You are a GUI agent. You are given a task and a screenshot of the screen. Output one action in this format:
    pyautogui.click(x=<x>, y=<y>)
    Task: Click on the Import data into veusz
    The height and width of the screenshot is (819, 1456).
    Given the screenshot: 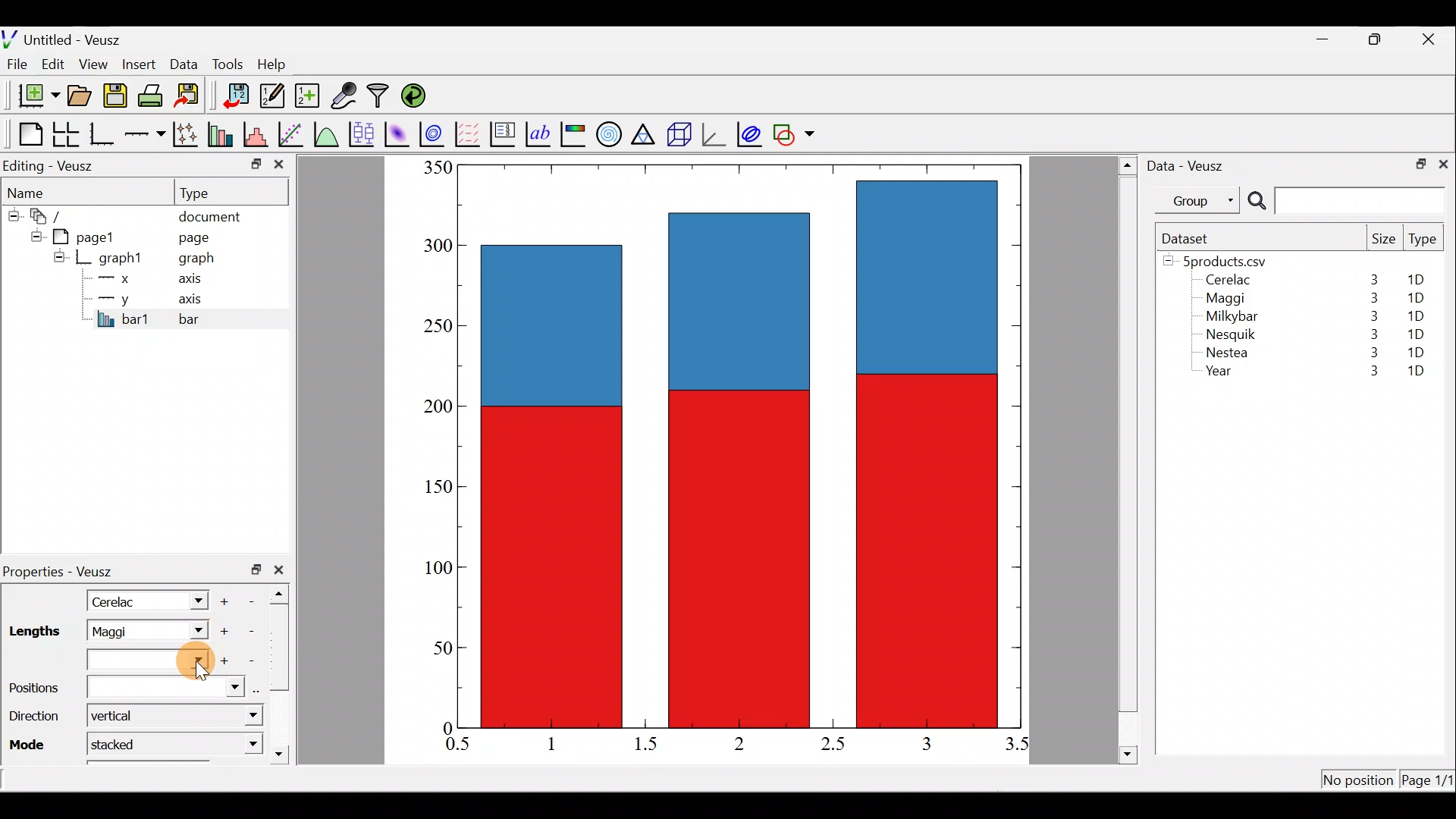 What is the action you would take?
    pyautogui.click(x=237, y=96)
    